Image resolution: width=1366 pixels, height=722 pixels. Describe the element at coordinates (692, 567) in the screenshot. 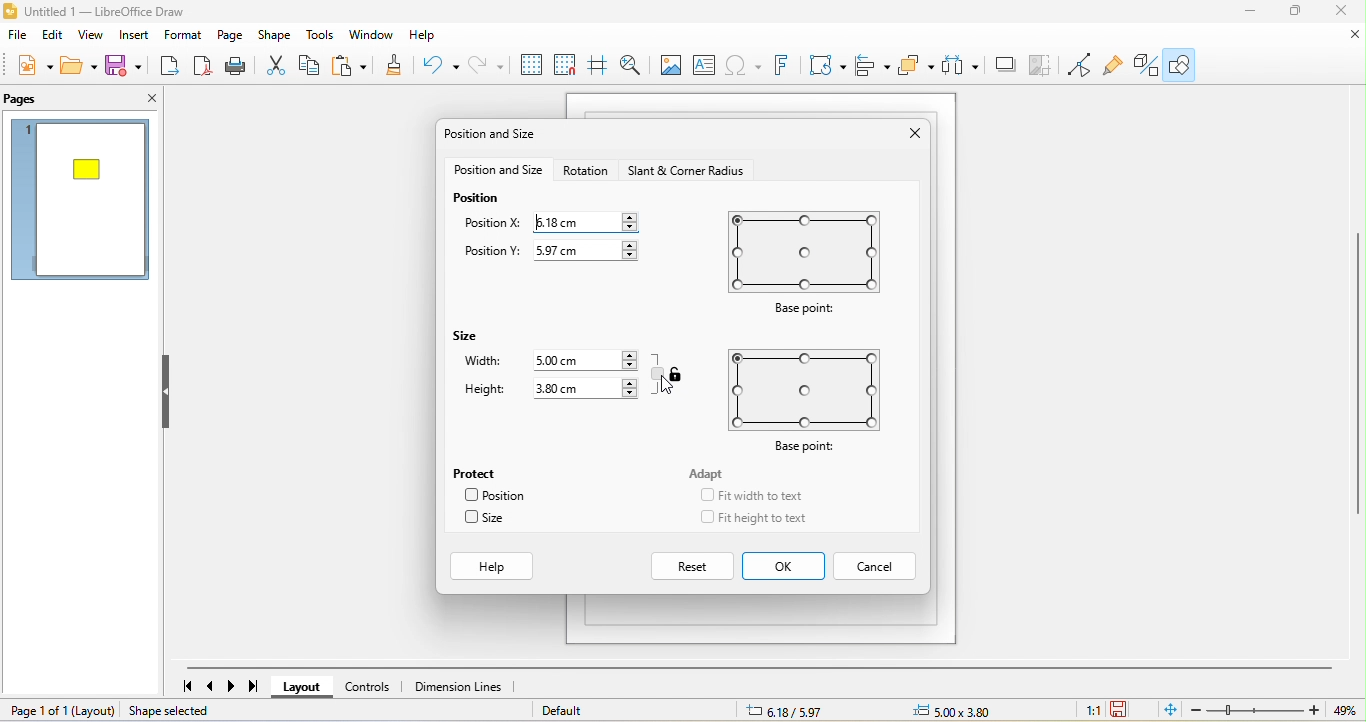

I see `reset` at that location.